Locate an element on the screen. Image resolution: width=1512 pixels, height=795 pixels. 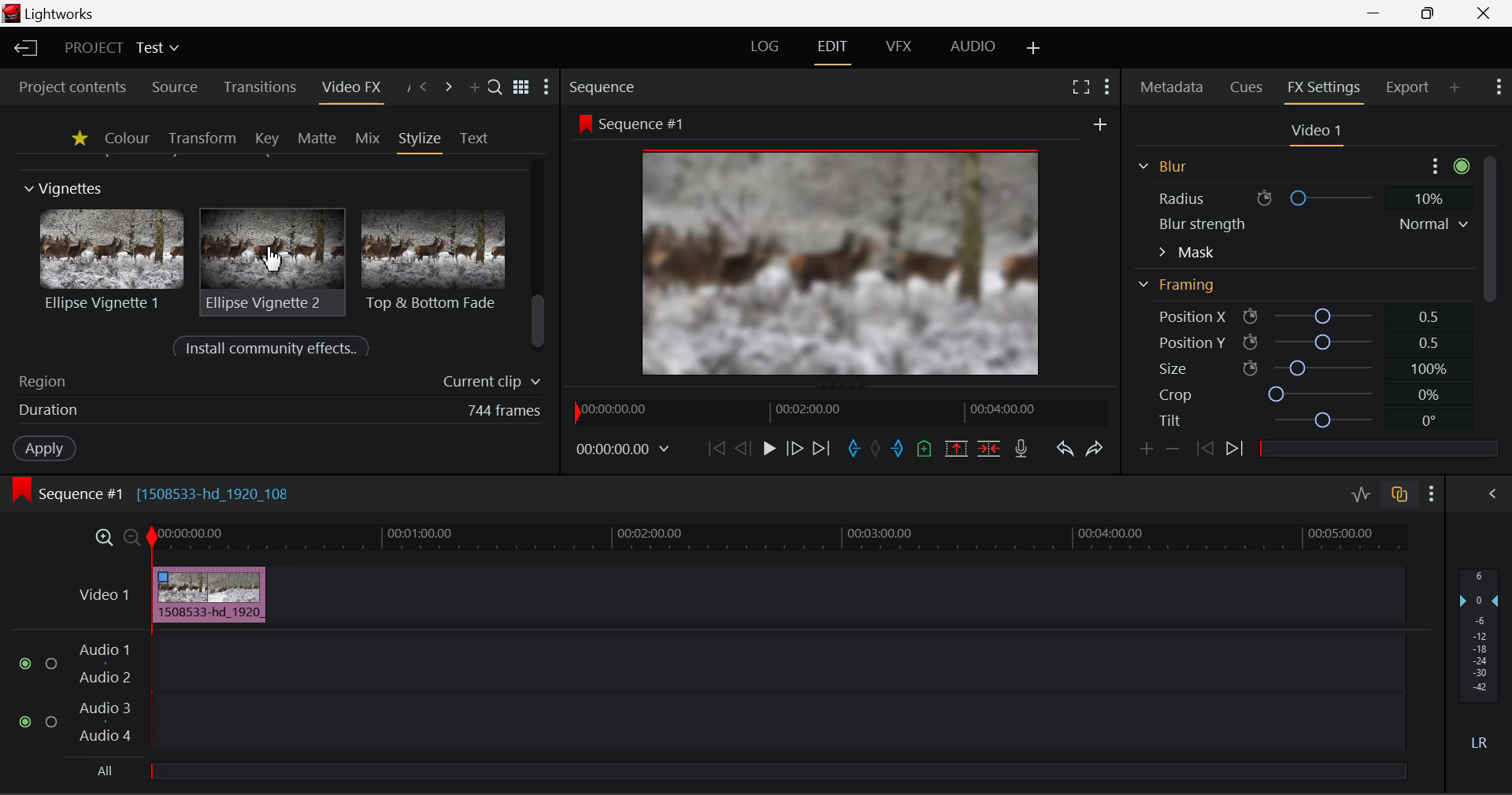
Previous Panel is located at coordinates (424, 87).